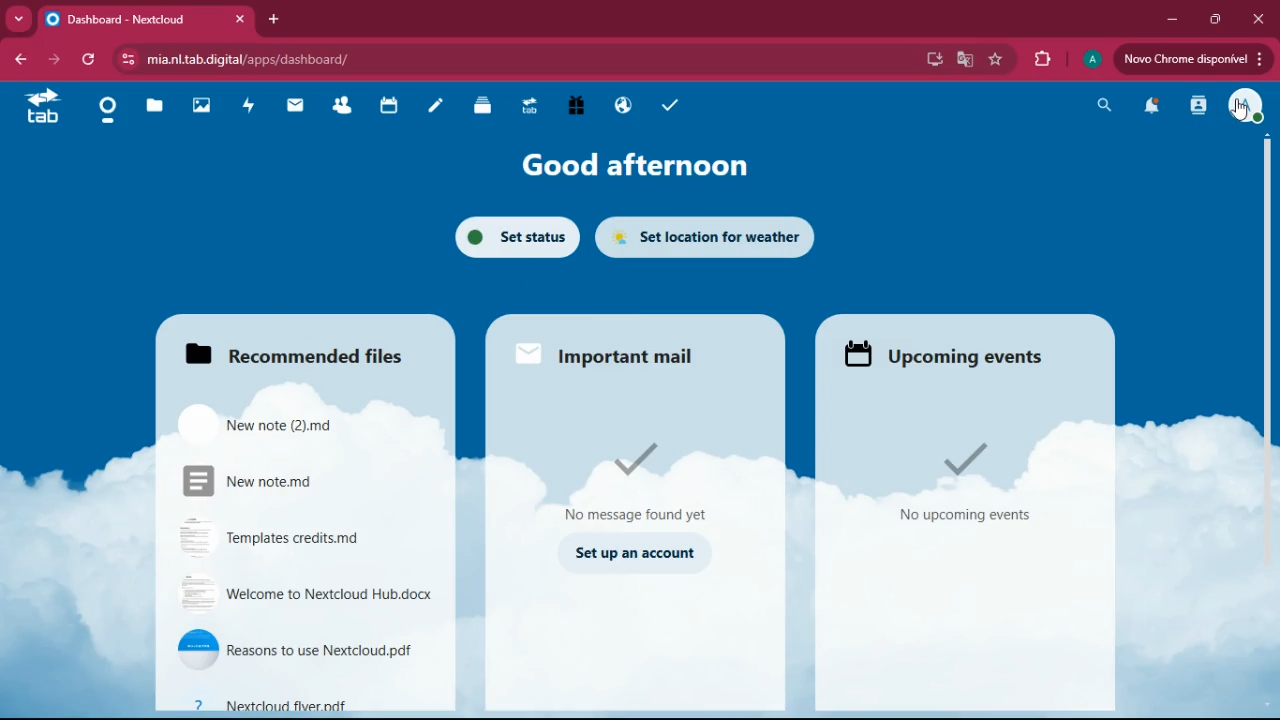 This screenshot has height=720, width=1280. What do you see at coordinates (273, 19) in the screenshot?
I see `` at bounding box center [273, 19].